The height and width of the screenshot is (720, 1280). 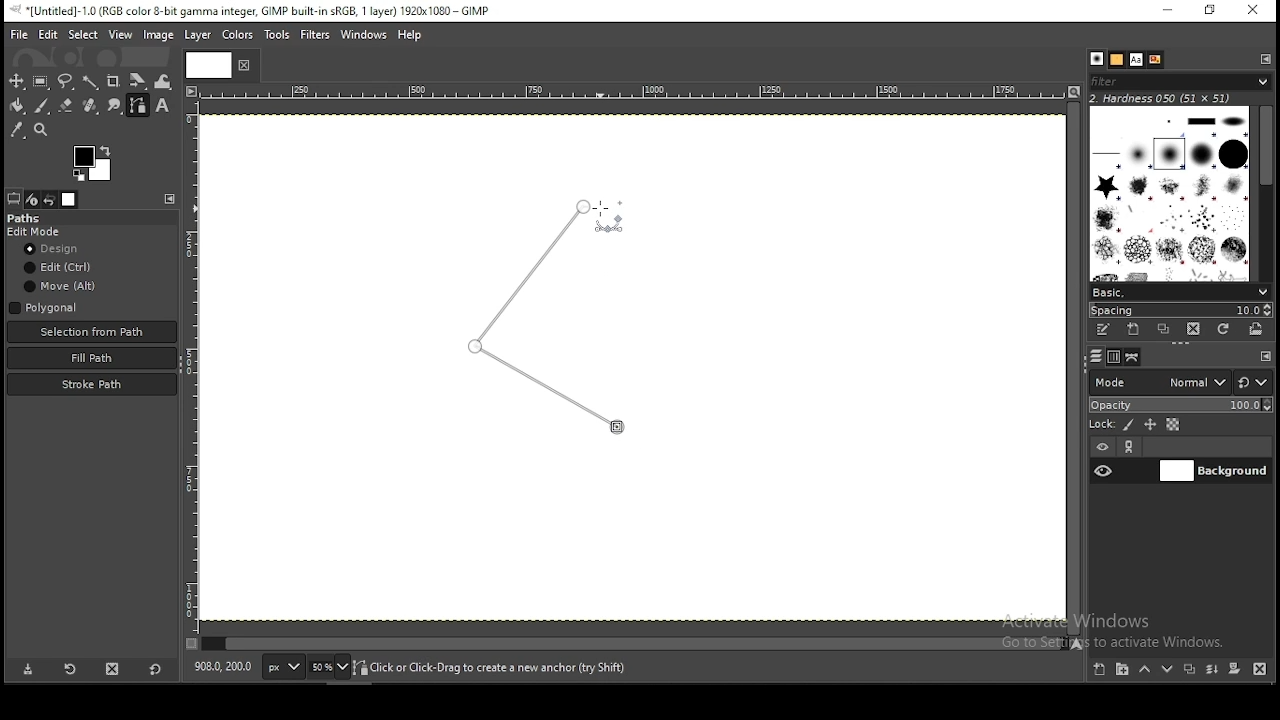 What do you see at coordinates (244, 68) in the screenshot?
I see `close` at bounding box center [244, 68].